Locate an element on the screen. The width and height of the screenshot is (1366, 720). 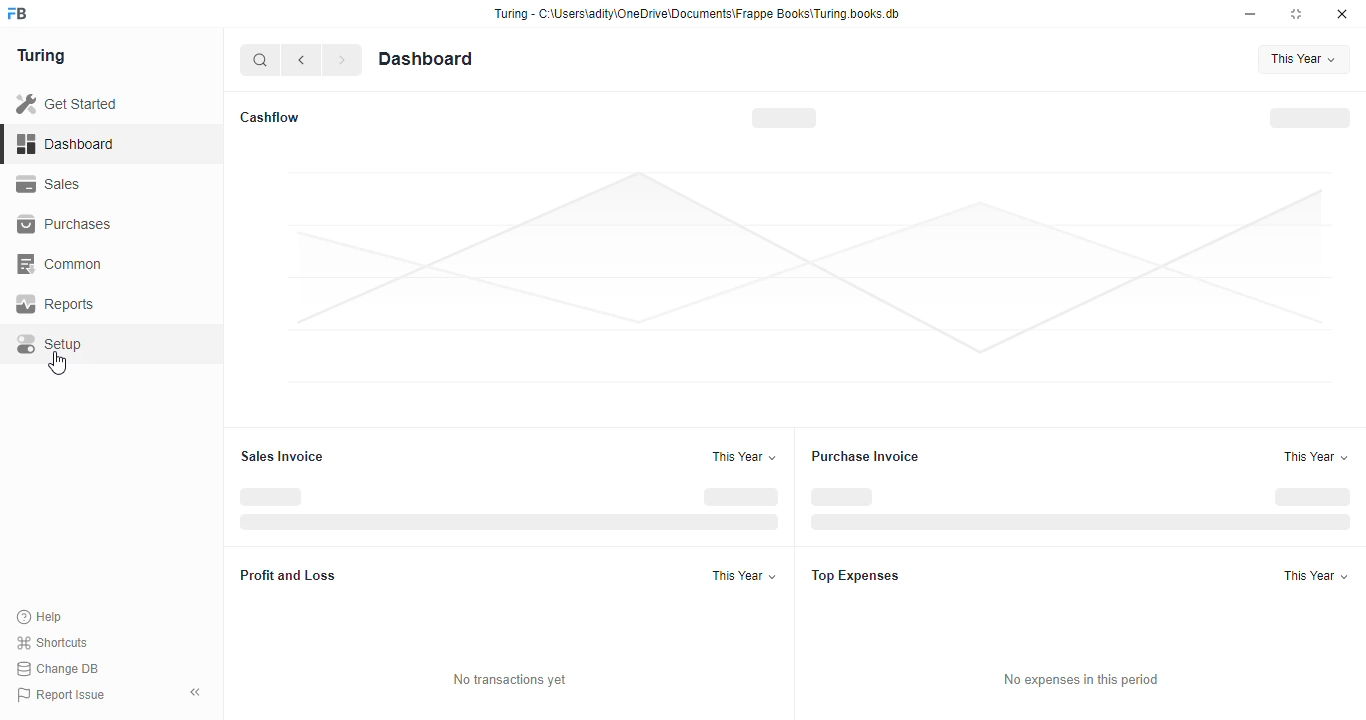
This Year is located at coordinates (1304, 58).